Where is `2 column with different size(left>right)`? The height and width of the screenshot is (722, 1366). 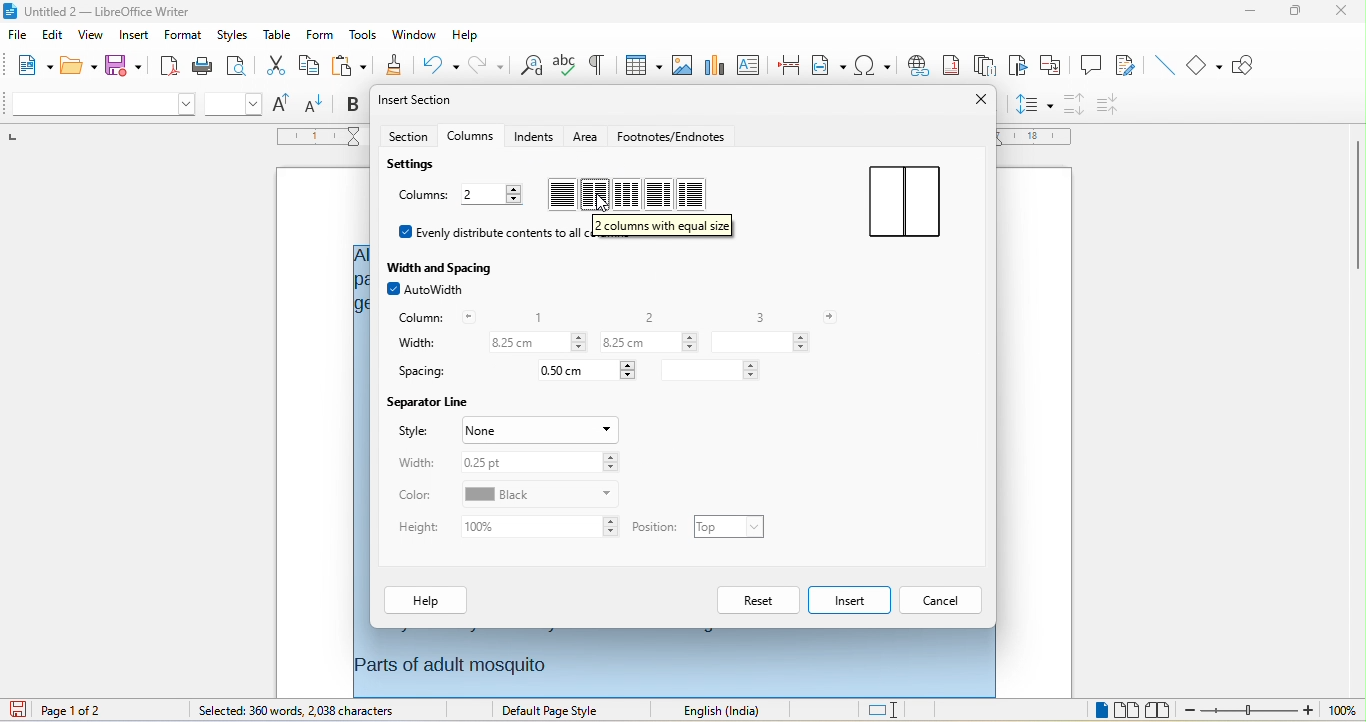 2 column with different size(left>right) is located at coordinates (660, 195).